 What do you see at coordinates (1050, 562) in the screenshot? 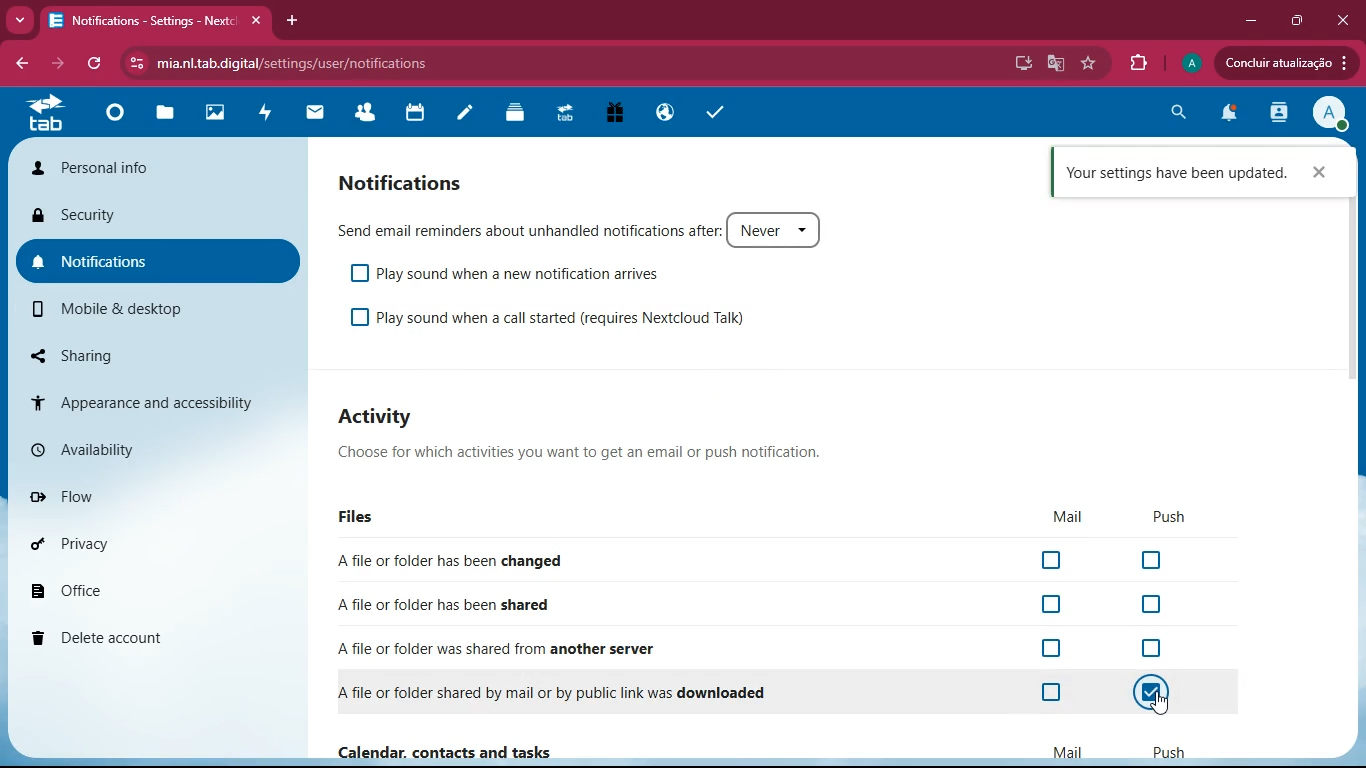
I see `off` at bounding box center [1050, 562].